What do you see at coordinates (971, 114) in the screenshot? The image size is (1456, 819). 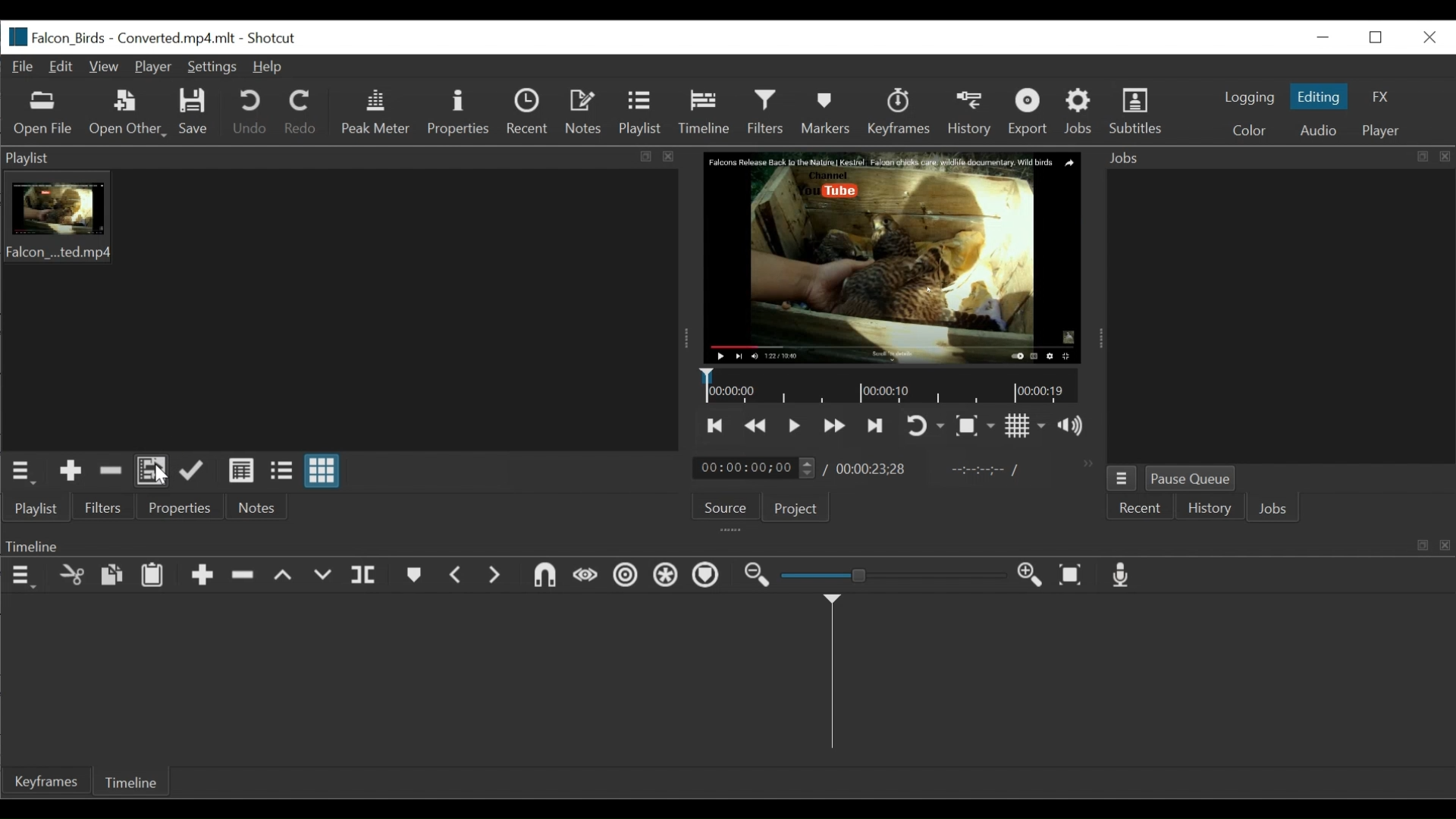 I see `History` at bounding box center [971, 114].